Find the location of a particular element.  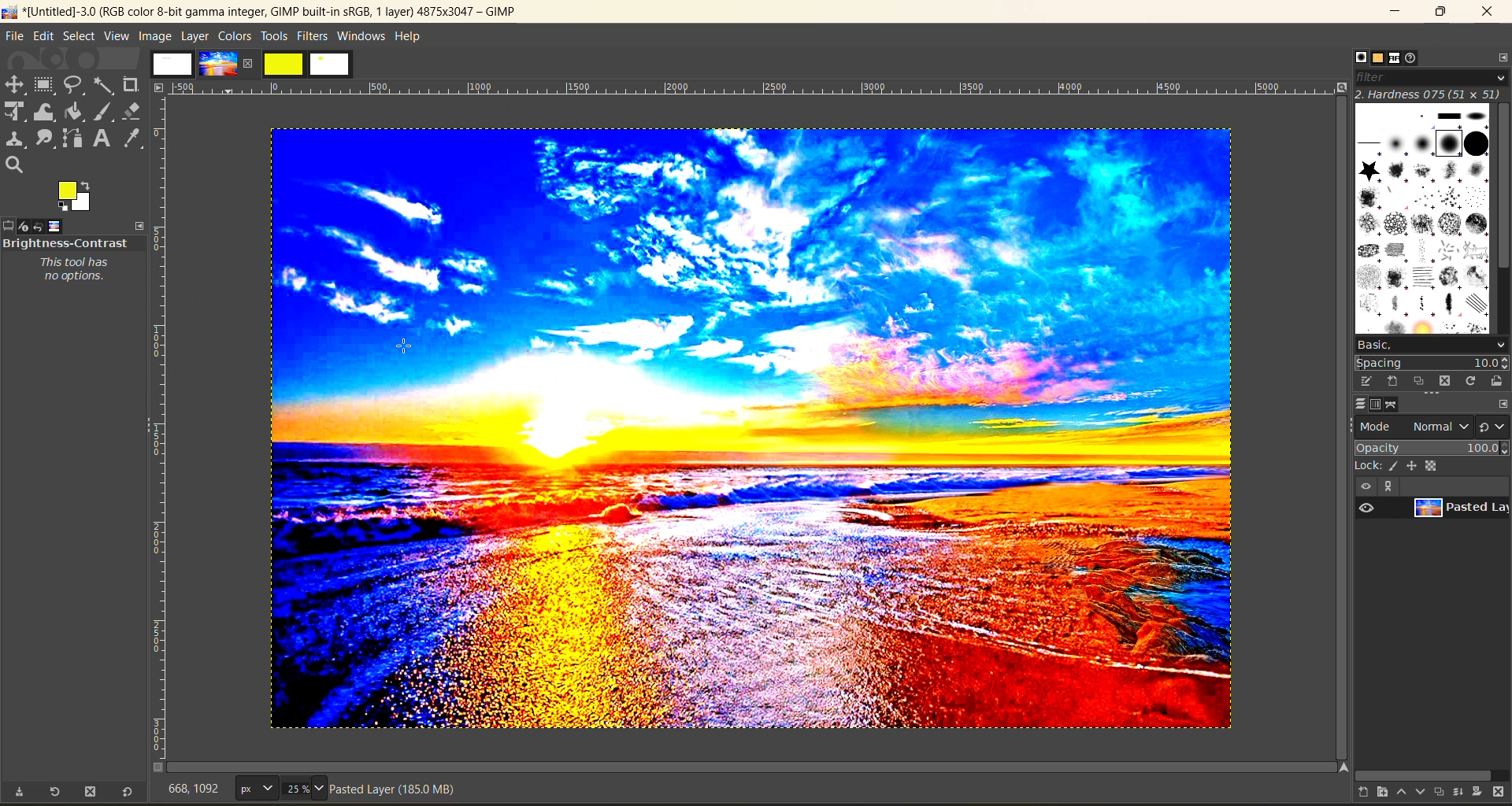

layer is located at coordinates (197, 35).